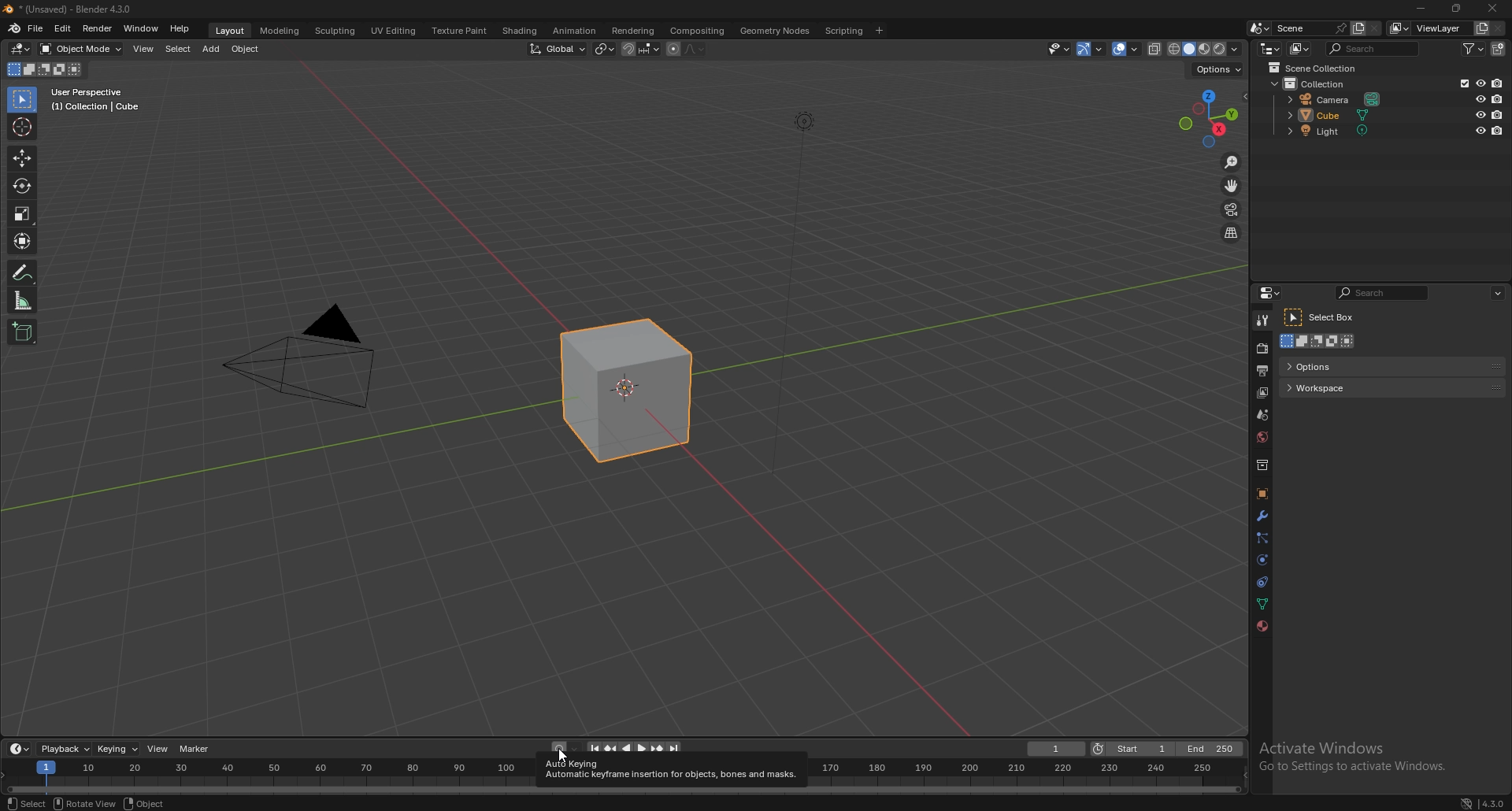 This screenshot has width=1512, height=811. Describe the element at coordinates (624, 389) in the screenshot. I see `cube` at that location.